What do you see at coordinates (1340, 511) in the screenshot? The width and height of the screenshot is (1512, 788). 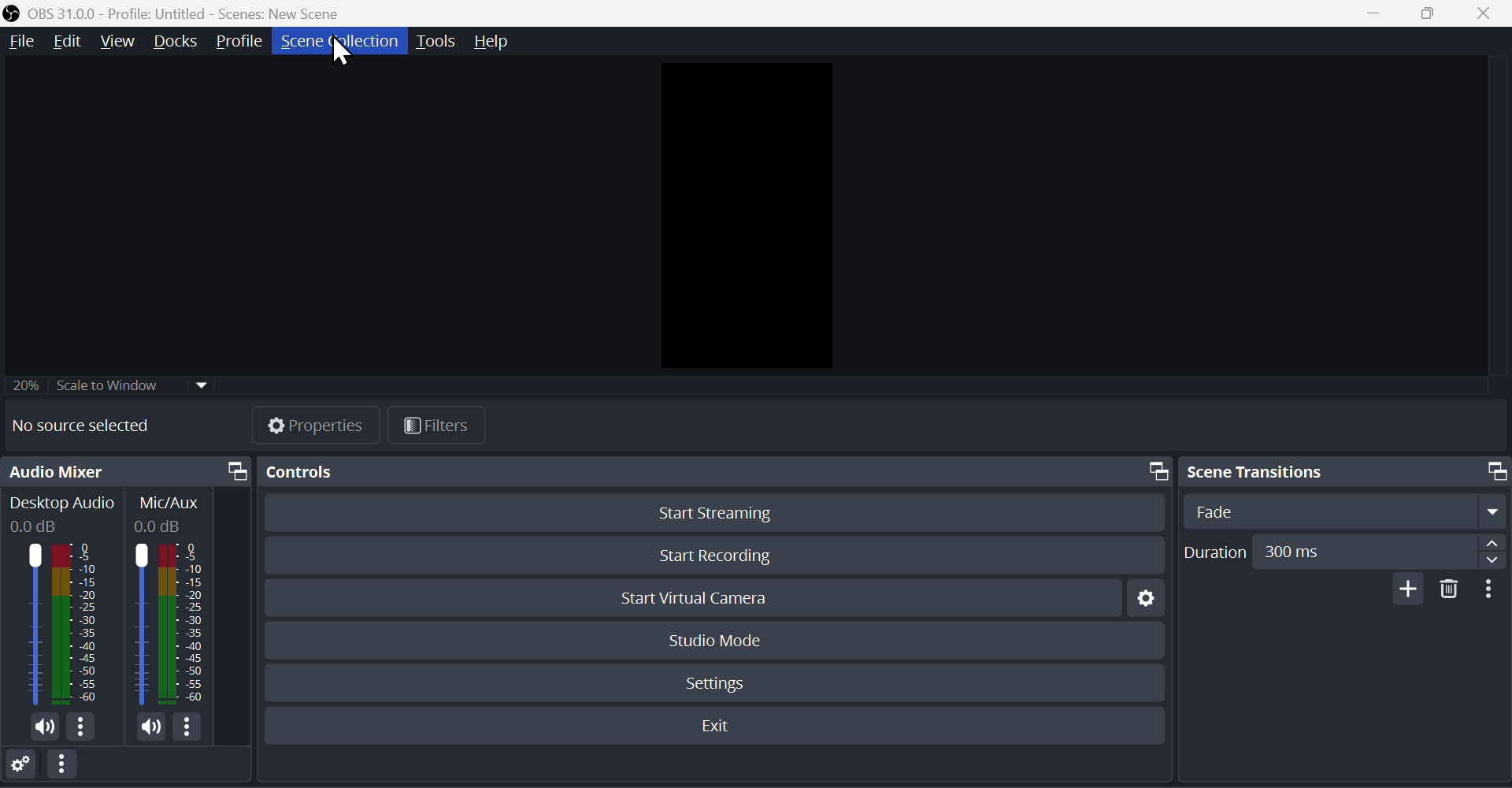 I see `Fade` at bounding box center [1340, 511].